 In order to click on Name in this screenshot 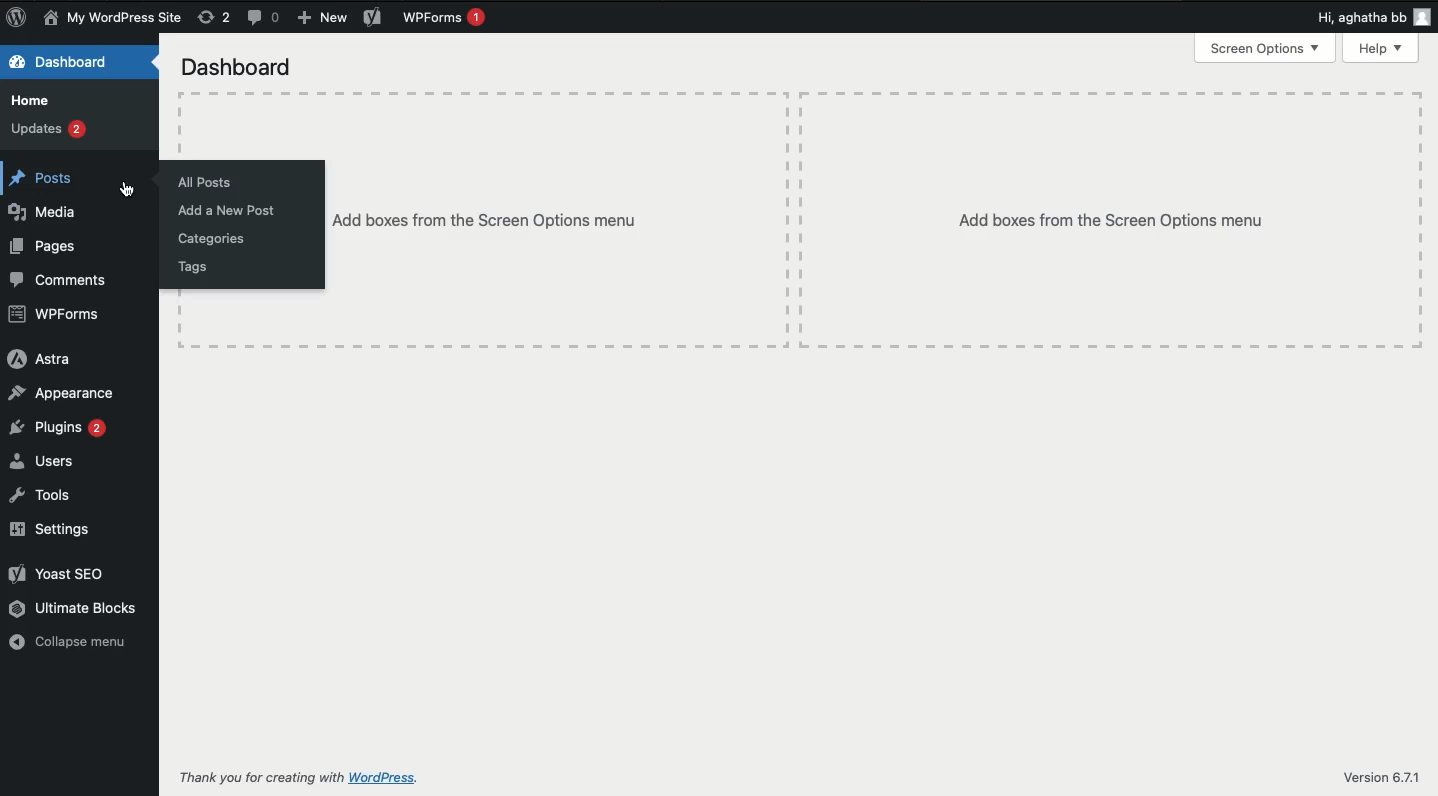, I will do `click(115, 19)`.